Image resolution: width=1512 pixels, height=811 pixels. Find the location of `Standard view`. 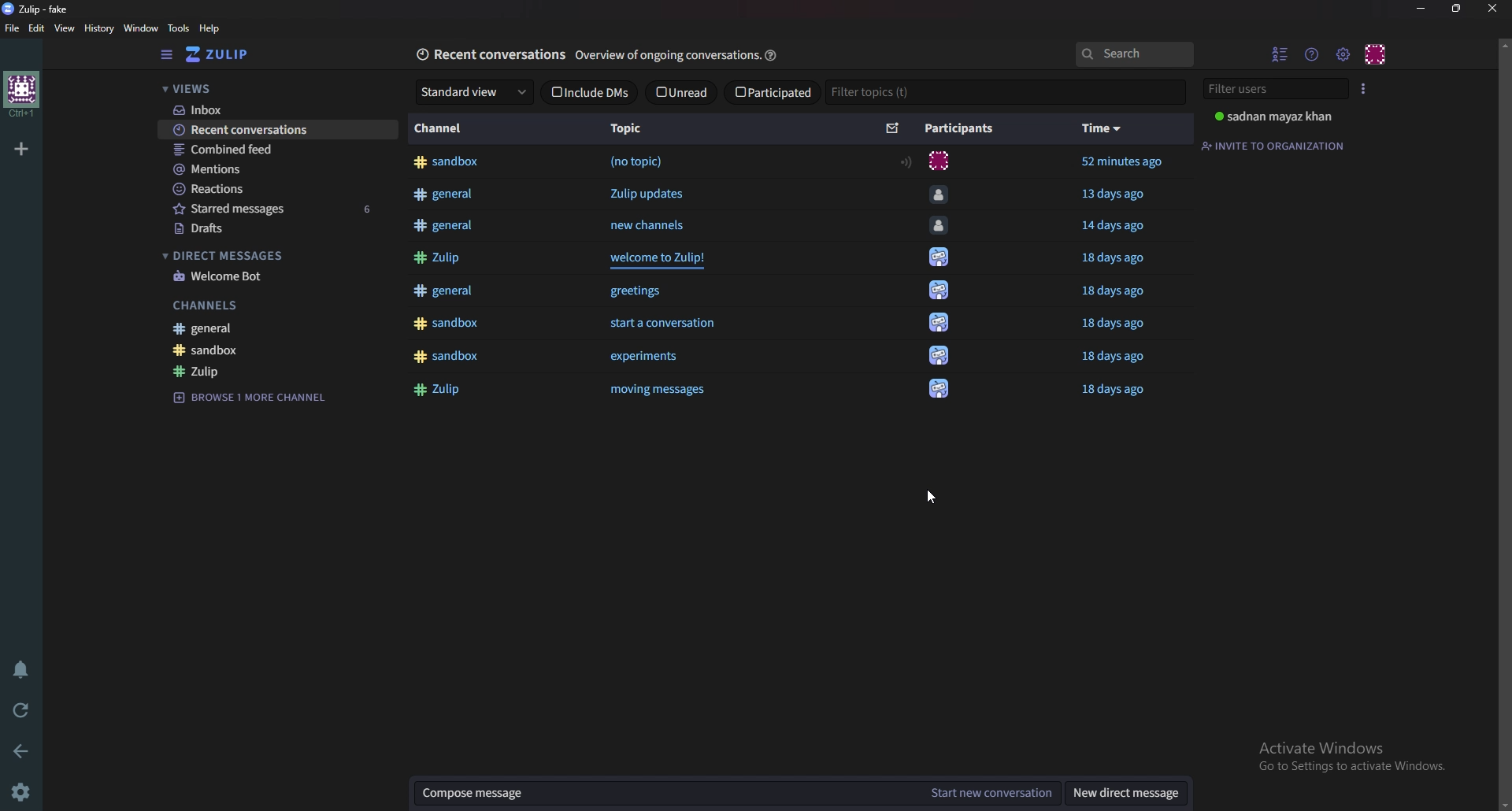

Standard view is located at coordinates (472, 91).